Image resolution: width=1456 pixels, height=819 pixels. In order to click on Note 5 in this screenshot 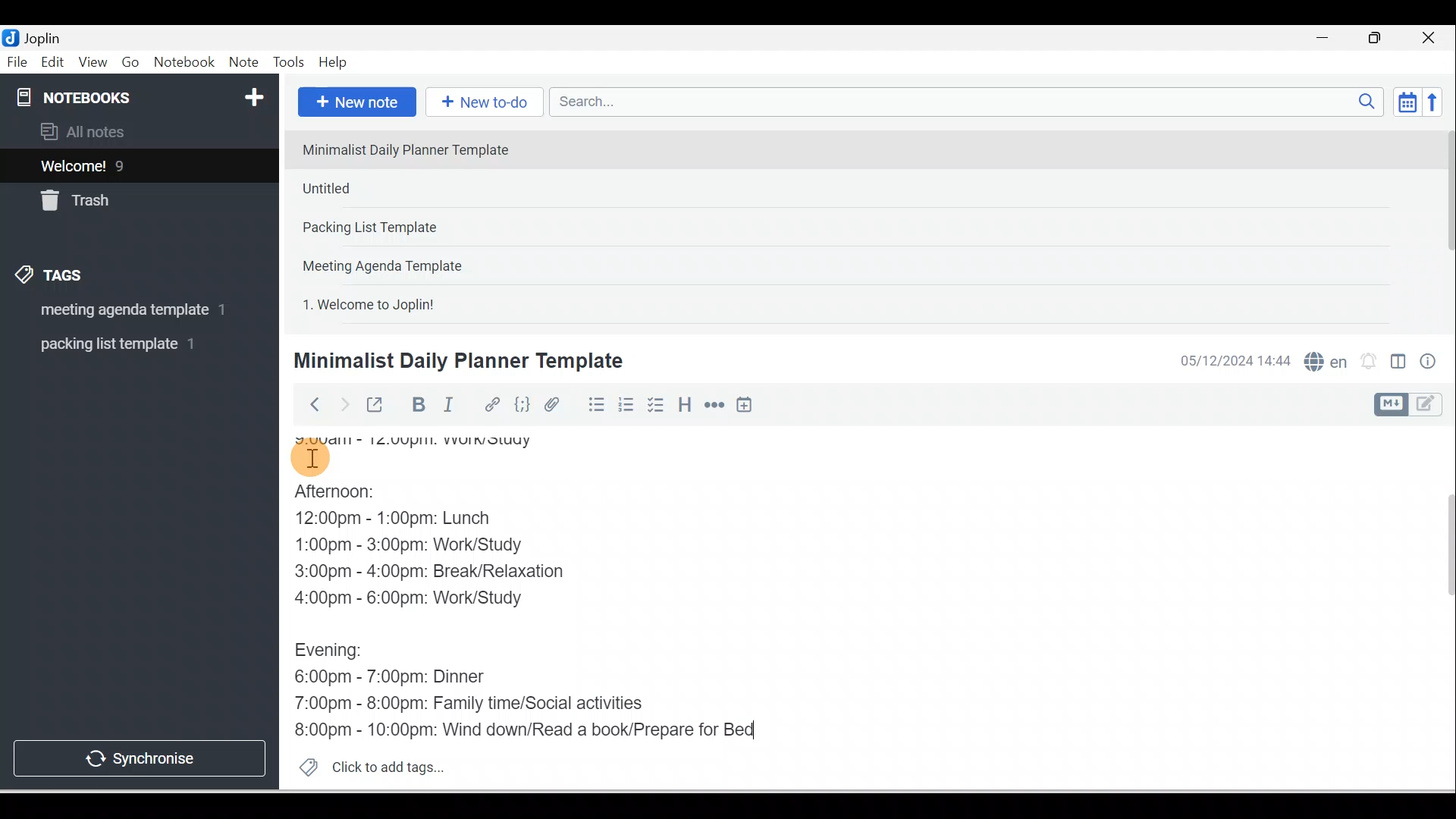, I will do `click(424, 303)`.